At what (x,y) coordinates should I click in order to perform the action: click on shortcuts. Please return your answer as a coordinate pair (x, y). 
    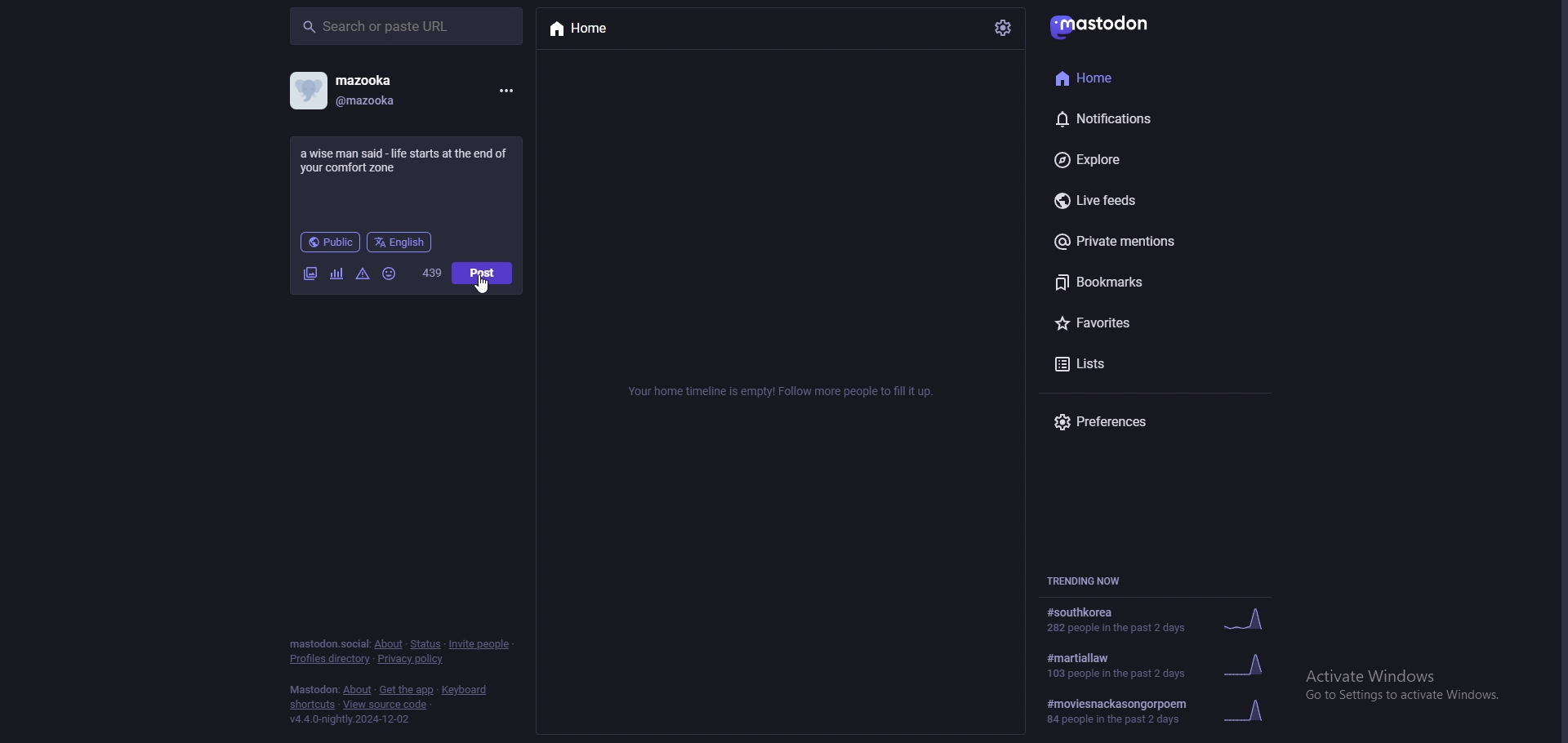
    Looking at the image, I should click on (313, 705).